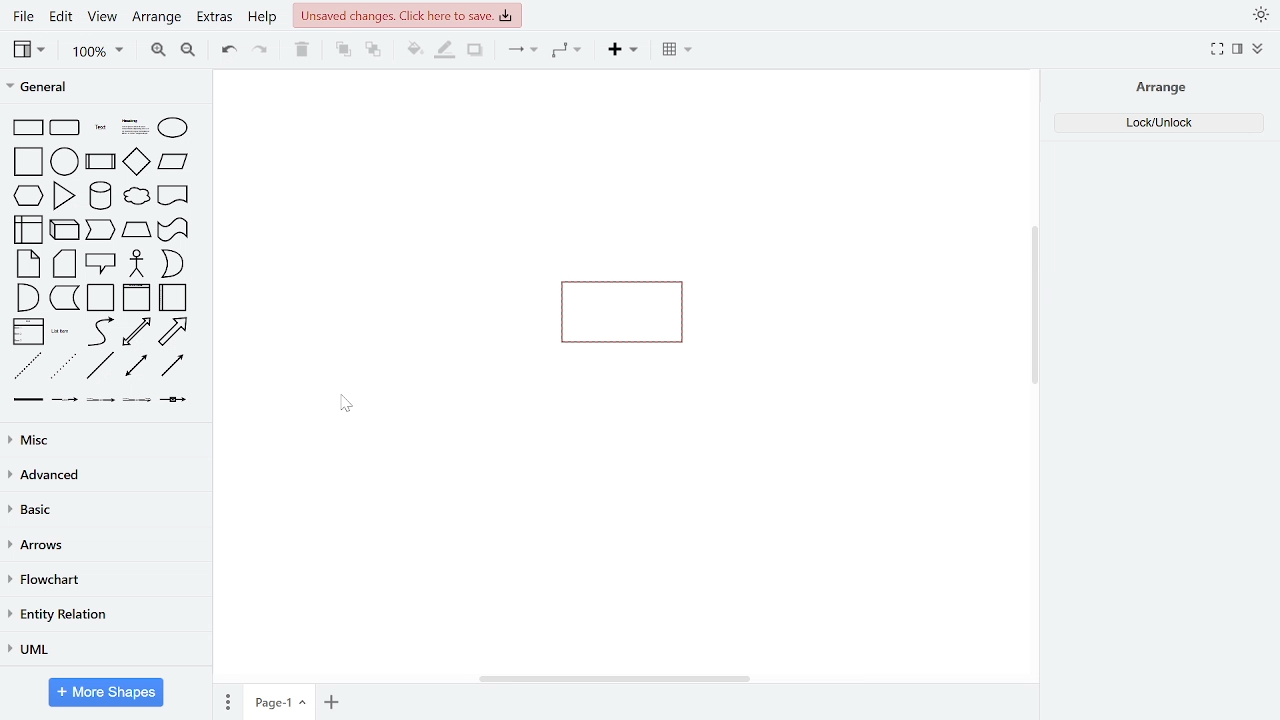 The height and width of the screenshot is (720, 1280). I want to click on cloud, so click(135, 196).